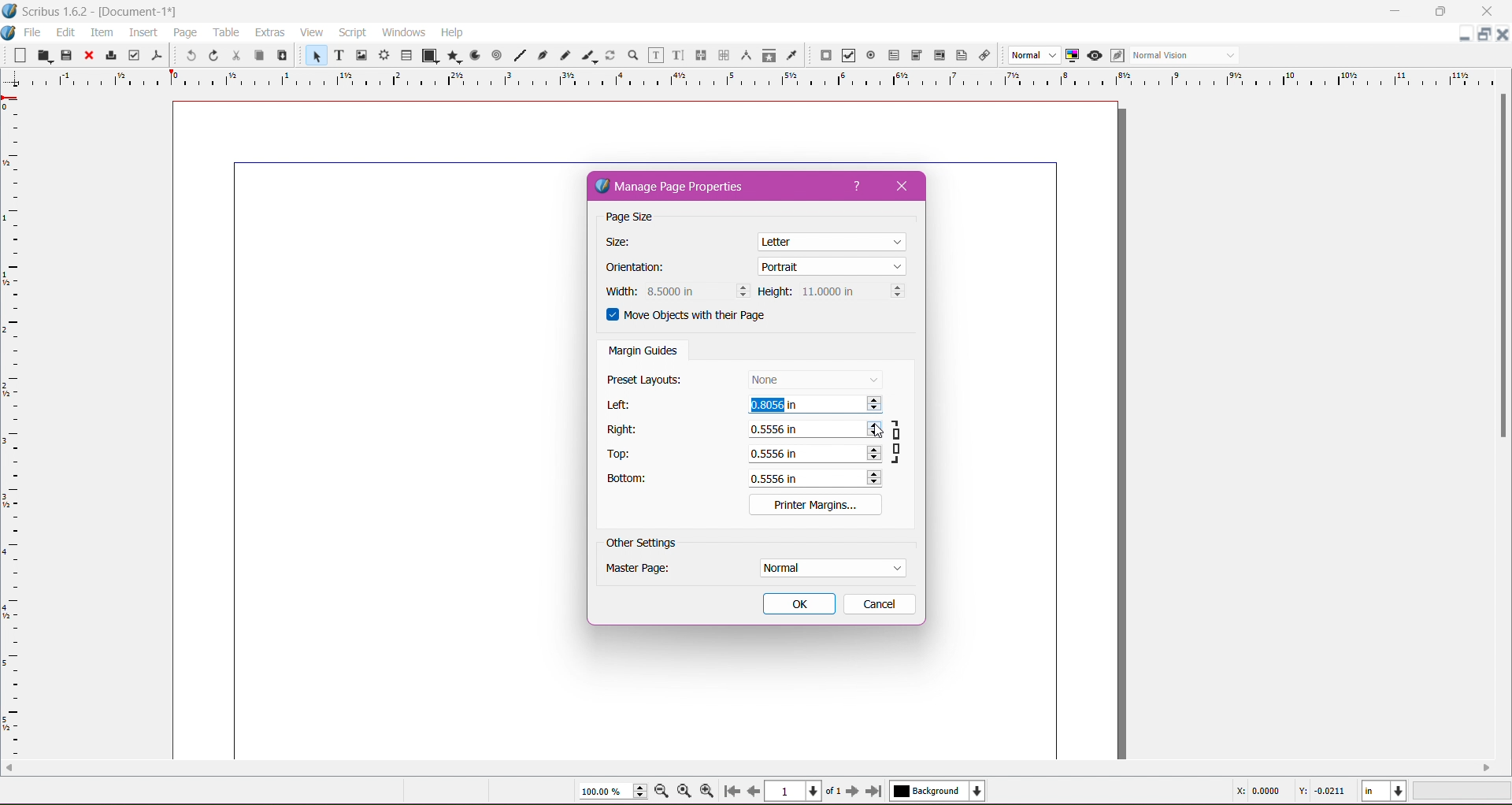 The image size is (1512, 805). What do you see at coordinates (813, 430) in the screenshot?
I see `Set right margin` at bounding box center [813, 430].